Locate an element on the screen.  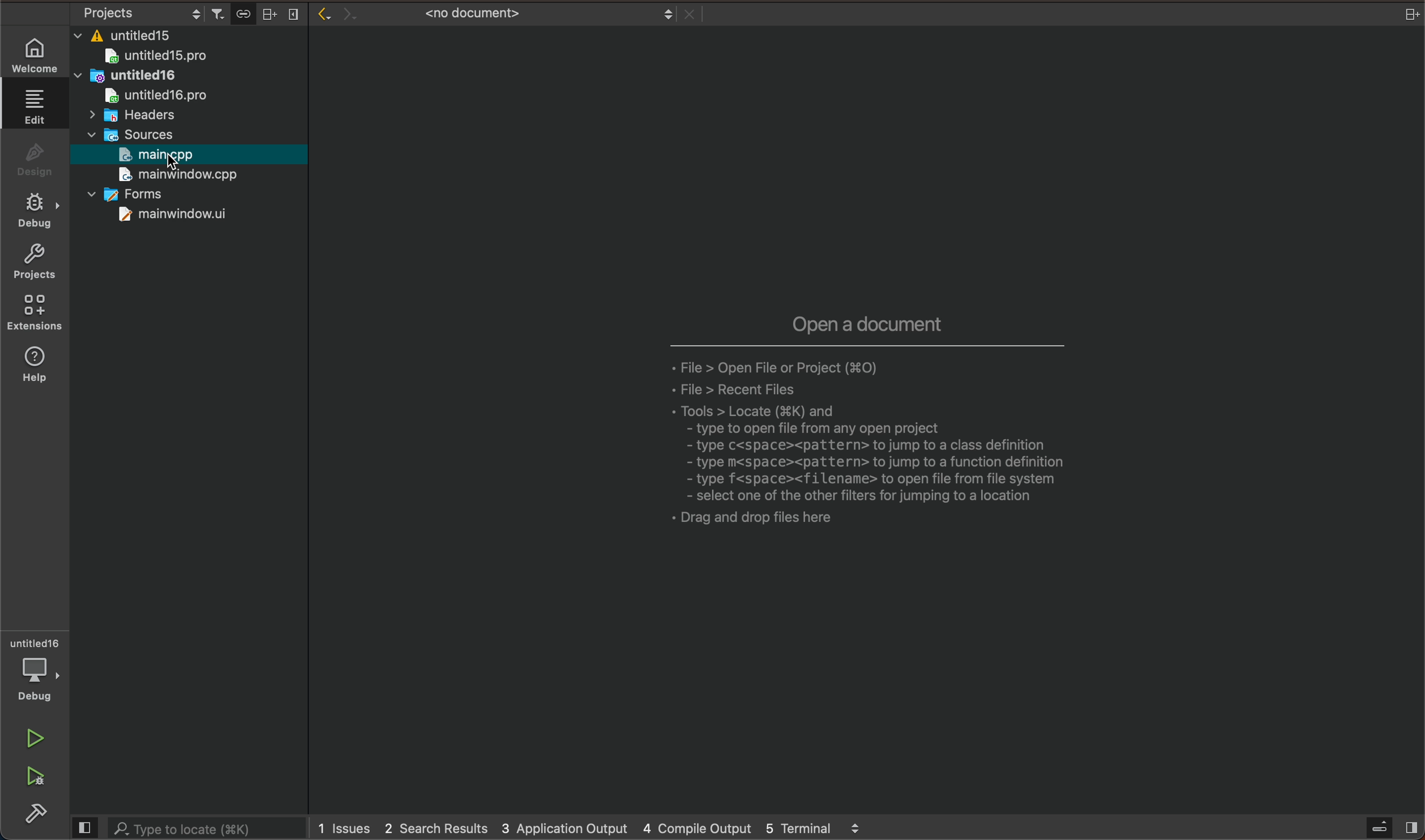
open sidebar is located at coordinates (1386, 829).